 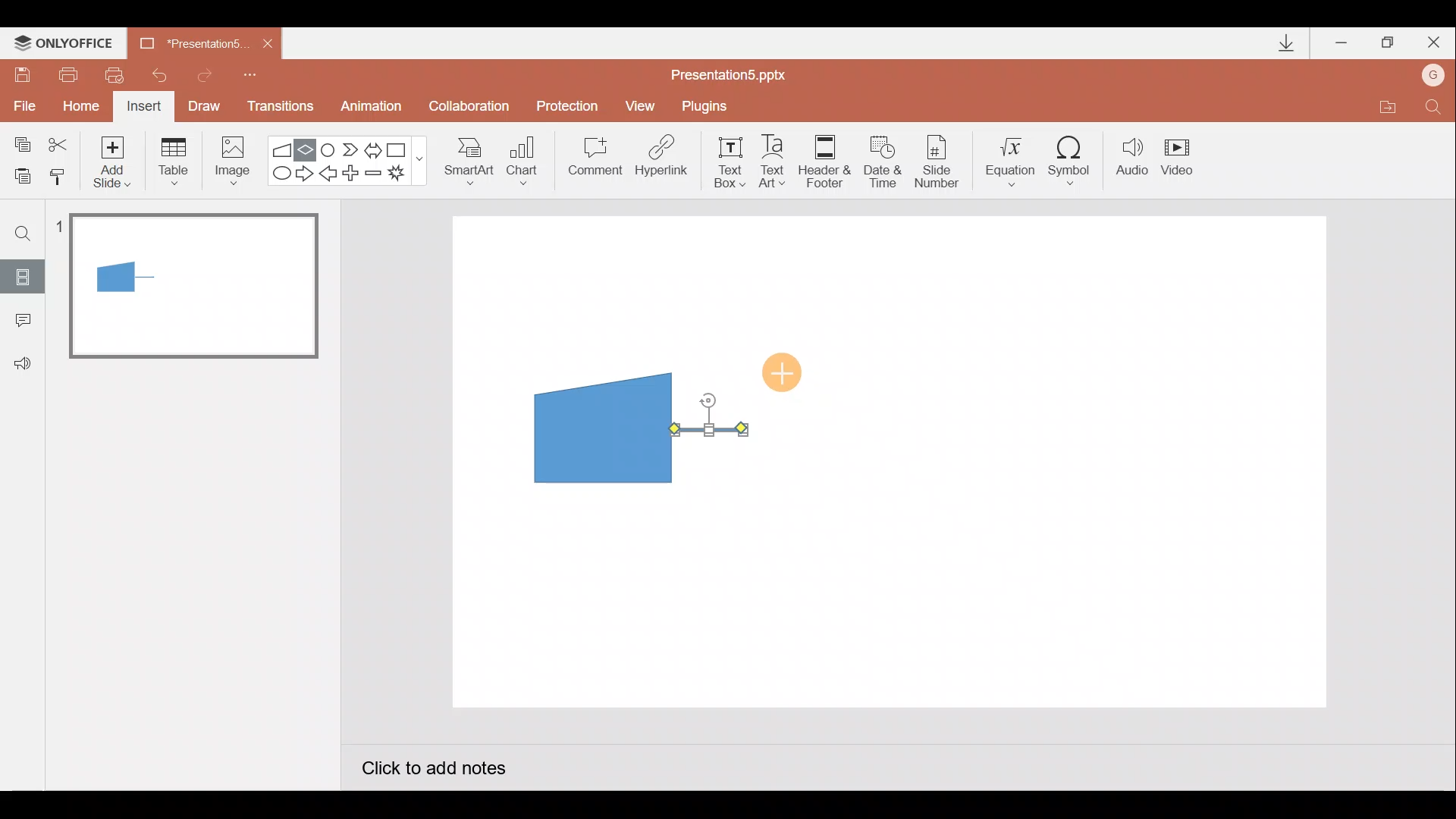 What do you see at coordinates (941, 162) in the screenshot?
I see `Slide number` at bounding box center [941, 162].